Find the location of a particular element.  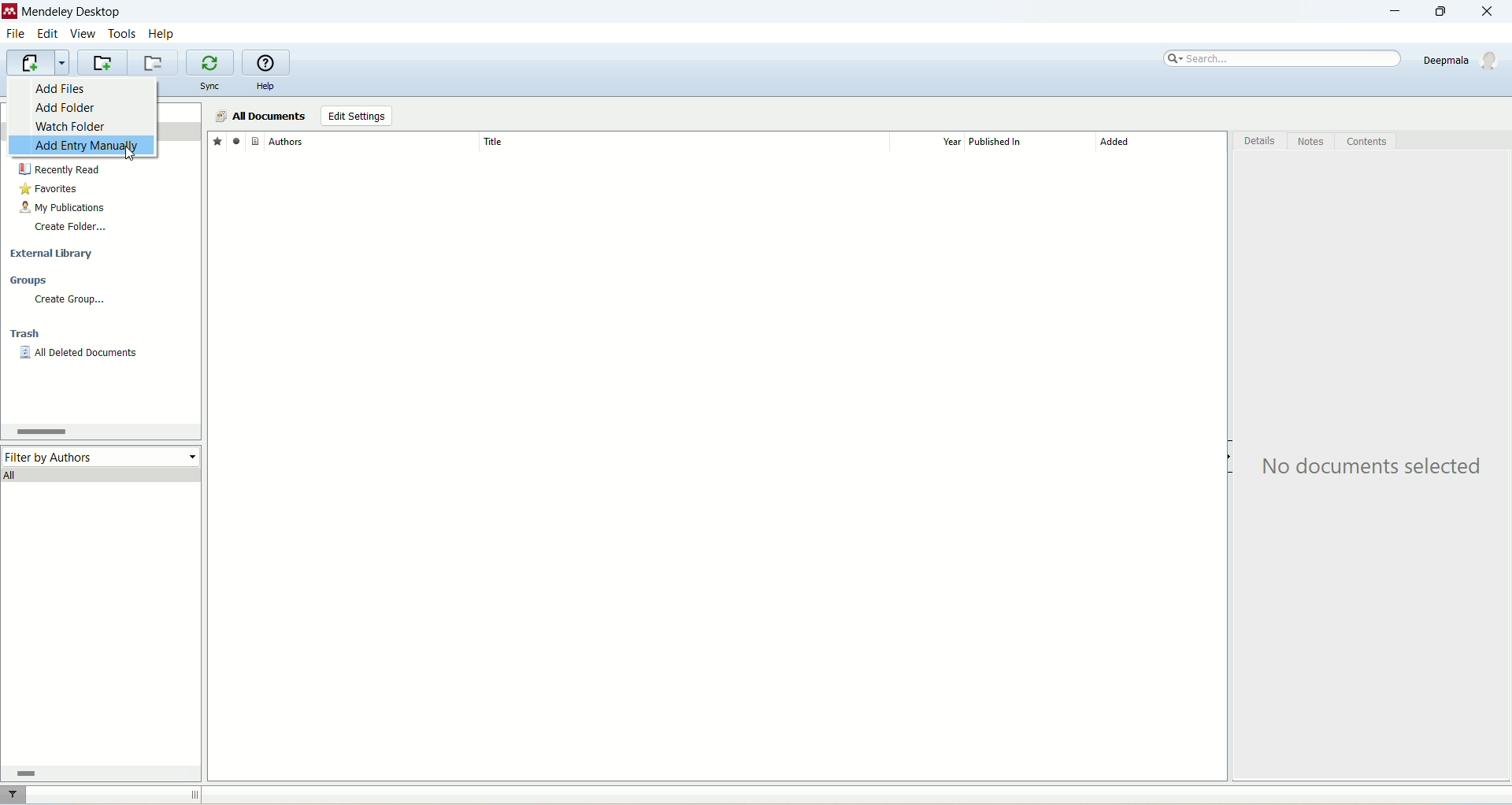

account is located at coordinates (1463, 60).